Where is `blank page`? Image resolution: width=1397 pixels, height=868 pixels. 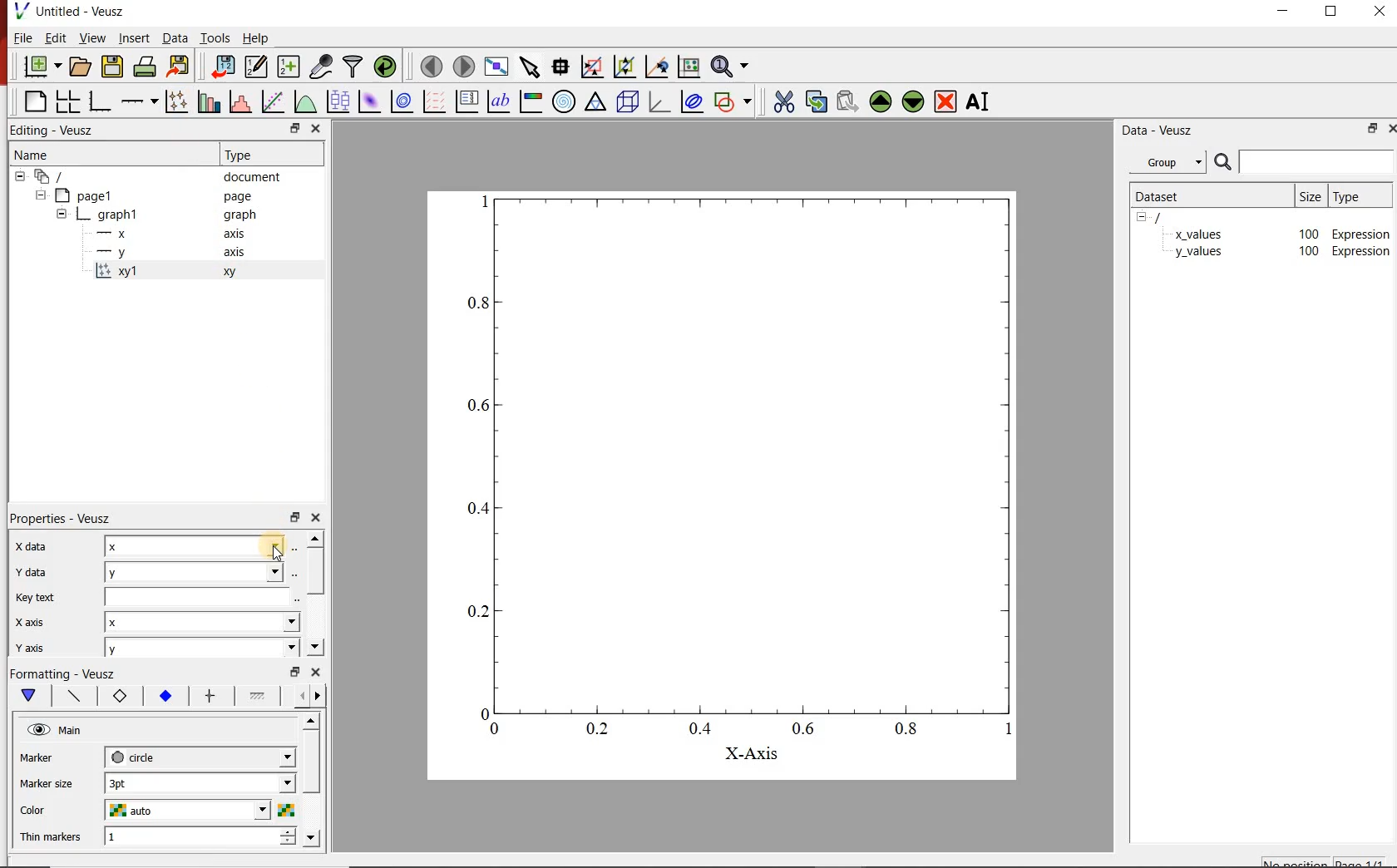
blank page is located at coordinates (35, 101).